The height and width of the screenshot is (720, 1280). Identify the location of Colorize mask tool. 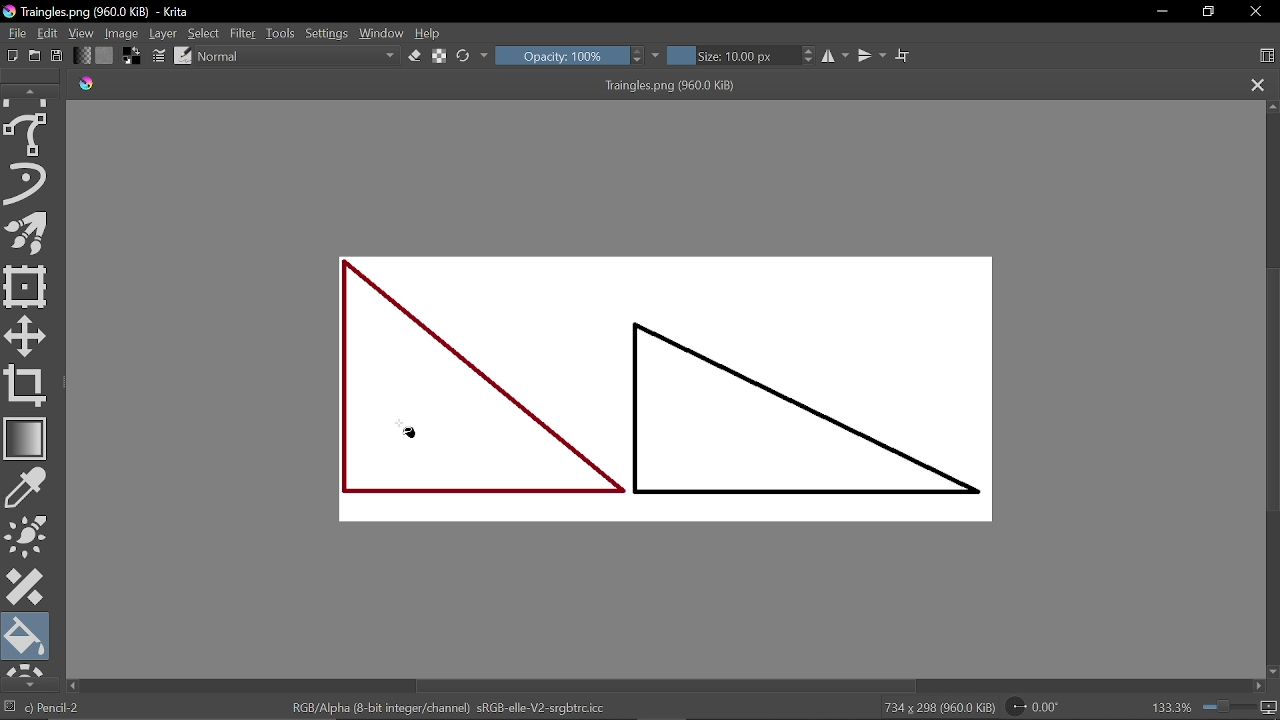
(28, 536).